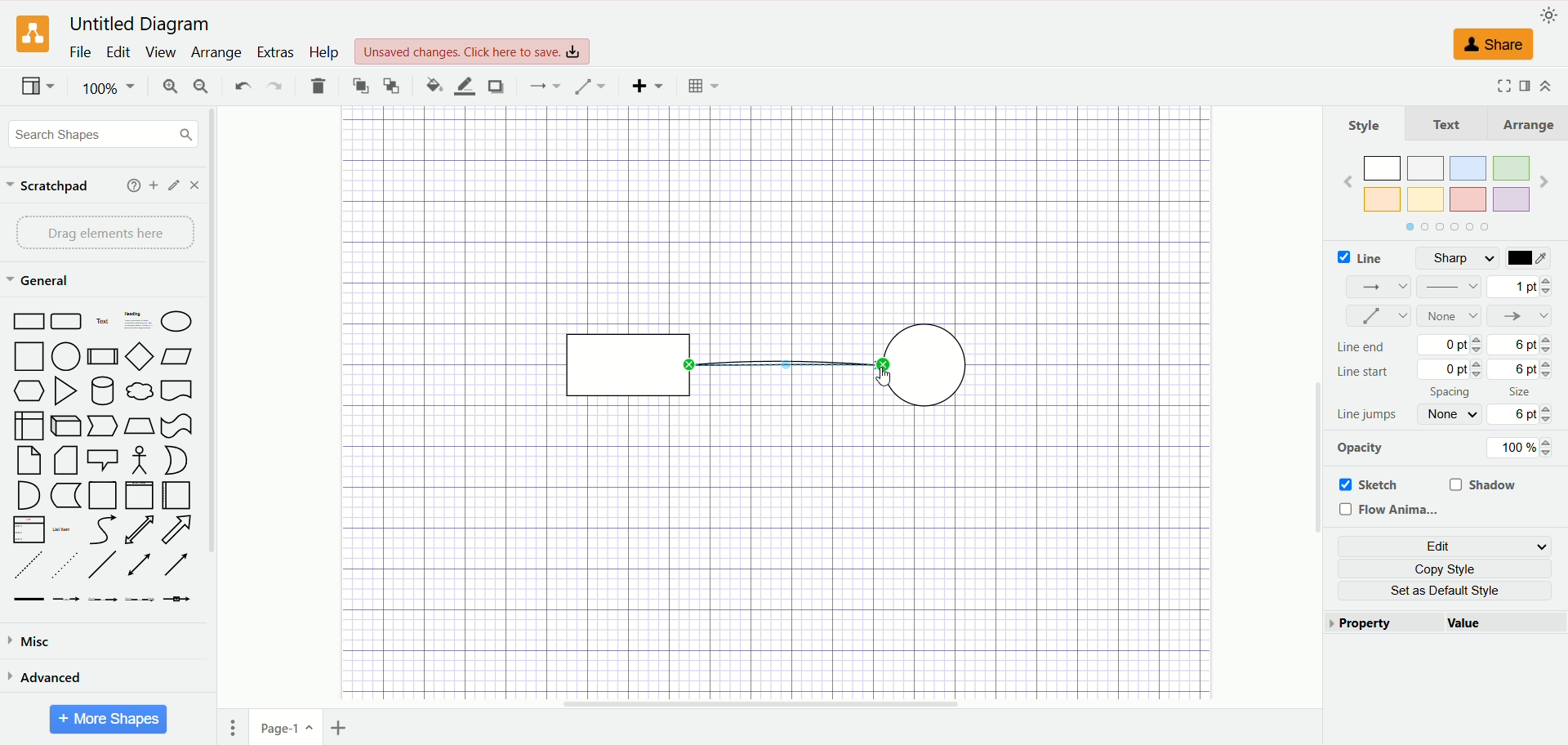 This screenshot has height=745, width=1568. I want to click on More Shapes, so click(109, 719).